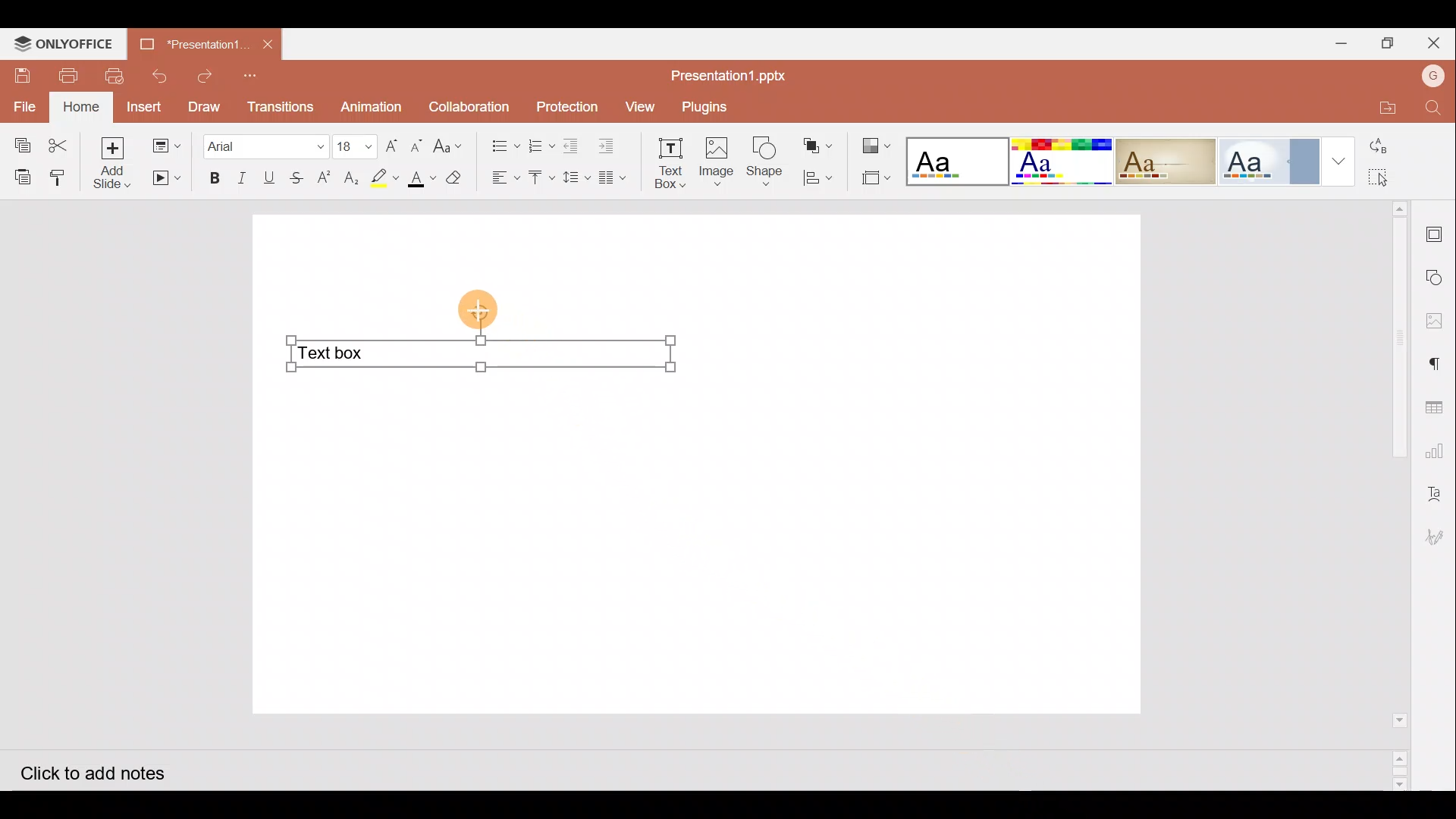 The image size is (1456, 819). Describe the element at coordinates (578, 178) in the screenshot. I see `Line spacing` at that location.